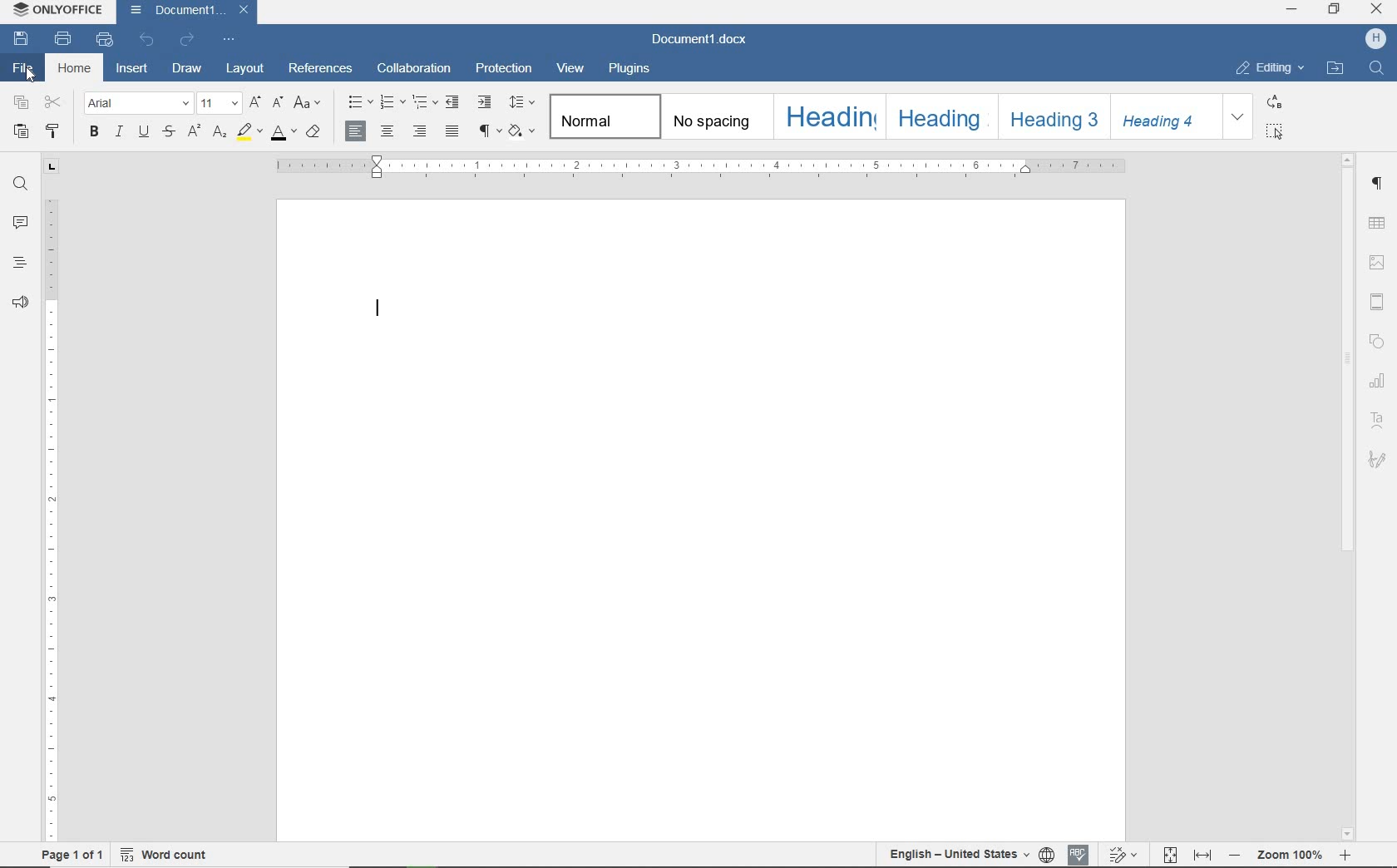 Image resolution: width=1397 pixels, height=868 pixels. Describe the element at coordinates (131, 70) in the screenshot. I see `insert` at that location.